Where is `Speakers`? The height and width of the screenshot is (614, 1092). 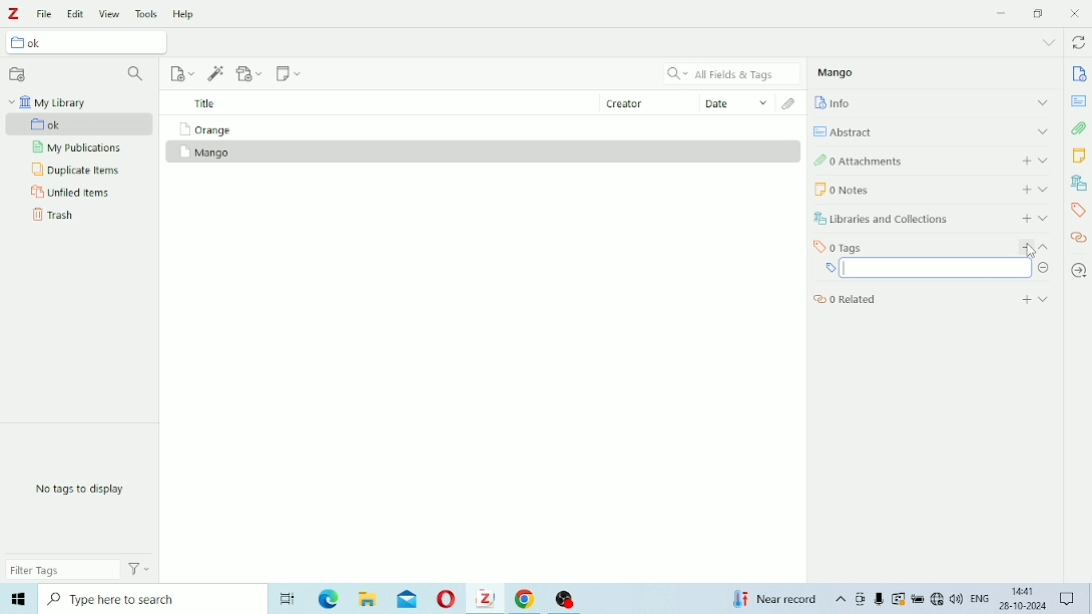 Speakers is located at coordinates (957, 599).